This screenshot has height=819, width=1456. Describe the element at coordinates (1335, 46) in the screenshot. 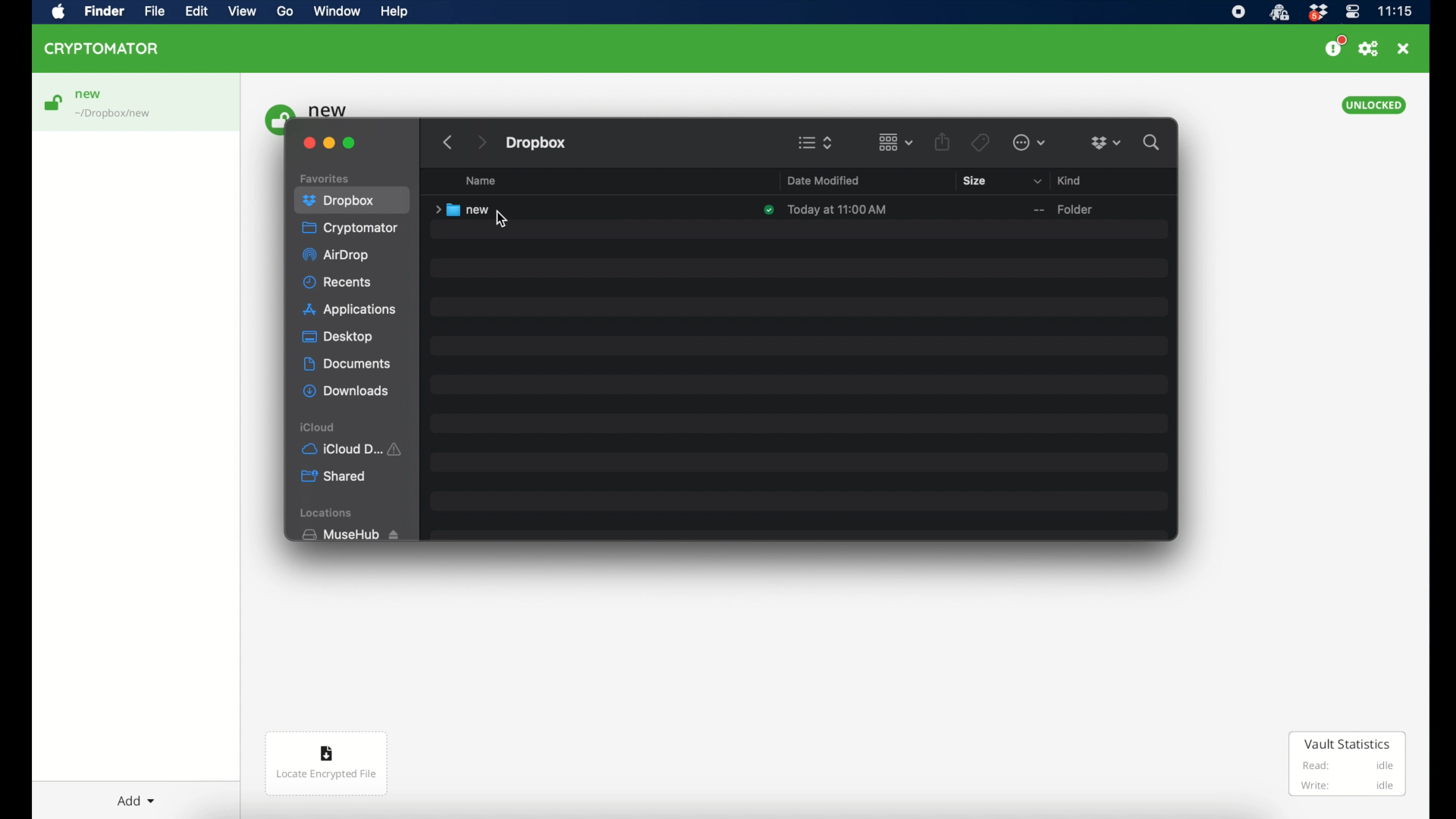

I see `support us` at that location.